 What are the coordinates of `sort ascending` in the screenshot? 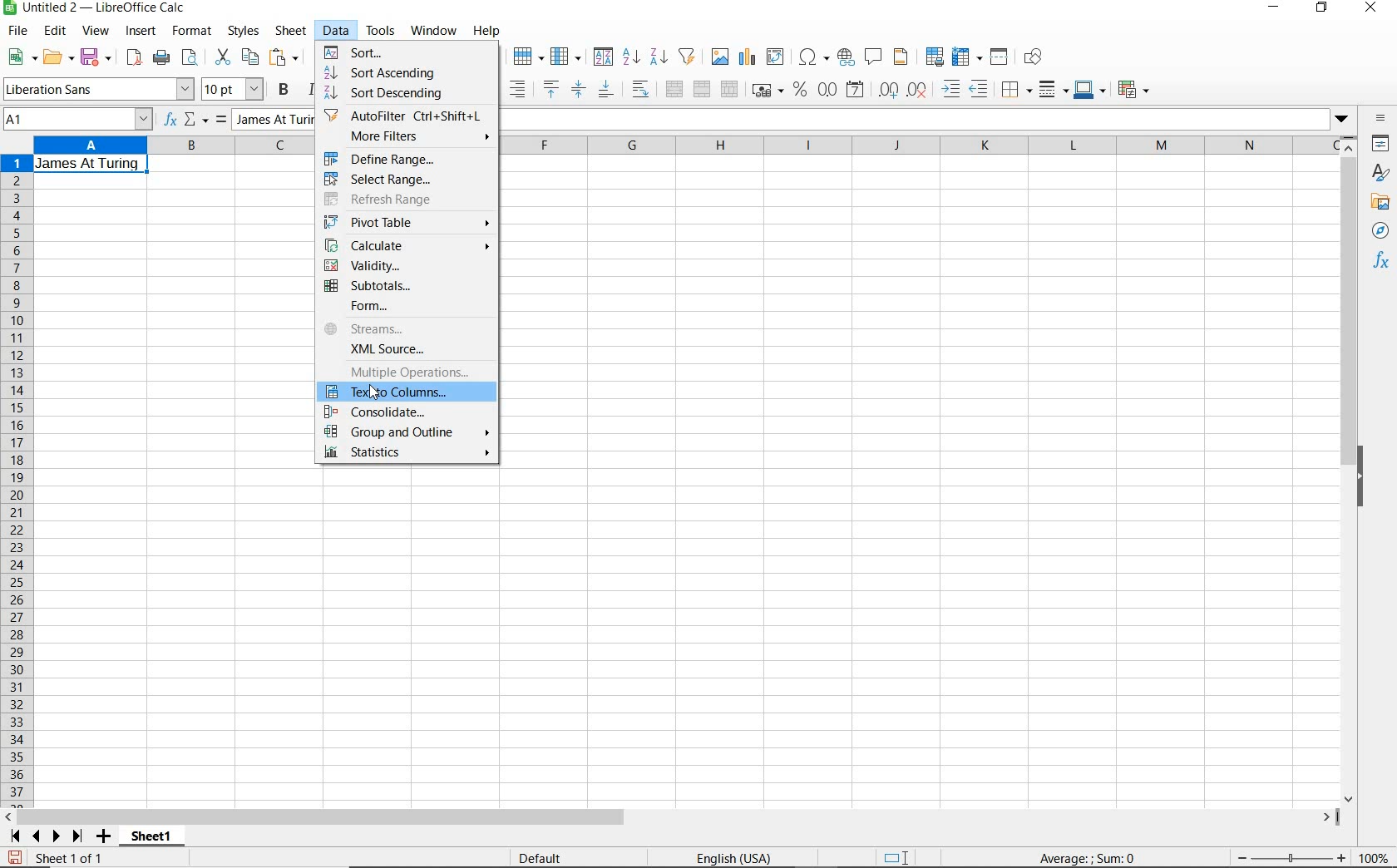 It's located at (397, 74).